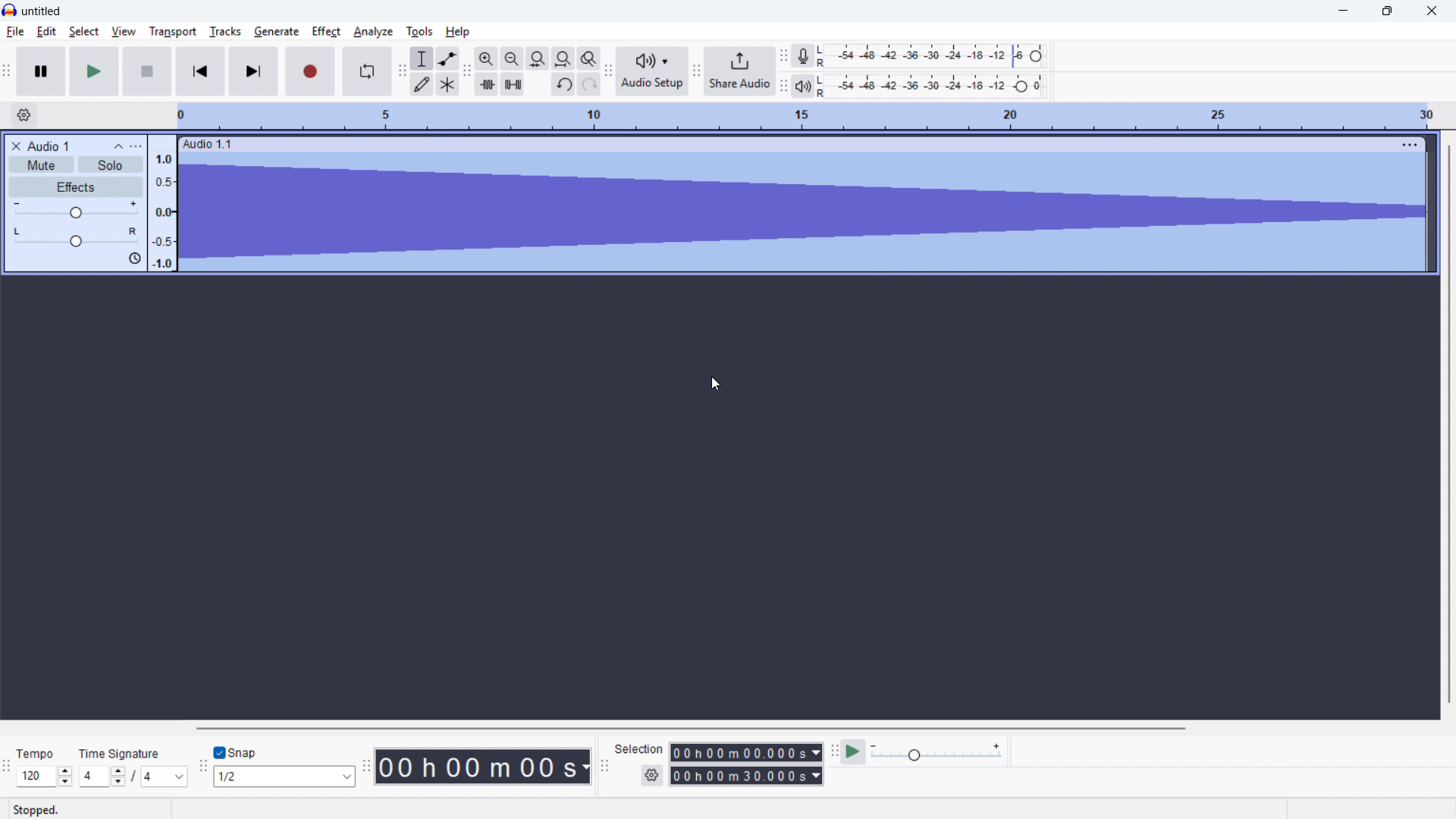 This screenshot has width=1456, height=819. What do you see at coordinates (147, 71) in the screenshot?
I see `stop ` at bounding box center [147, 71].